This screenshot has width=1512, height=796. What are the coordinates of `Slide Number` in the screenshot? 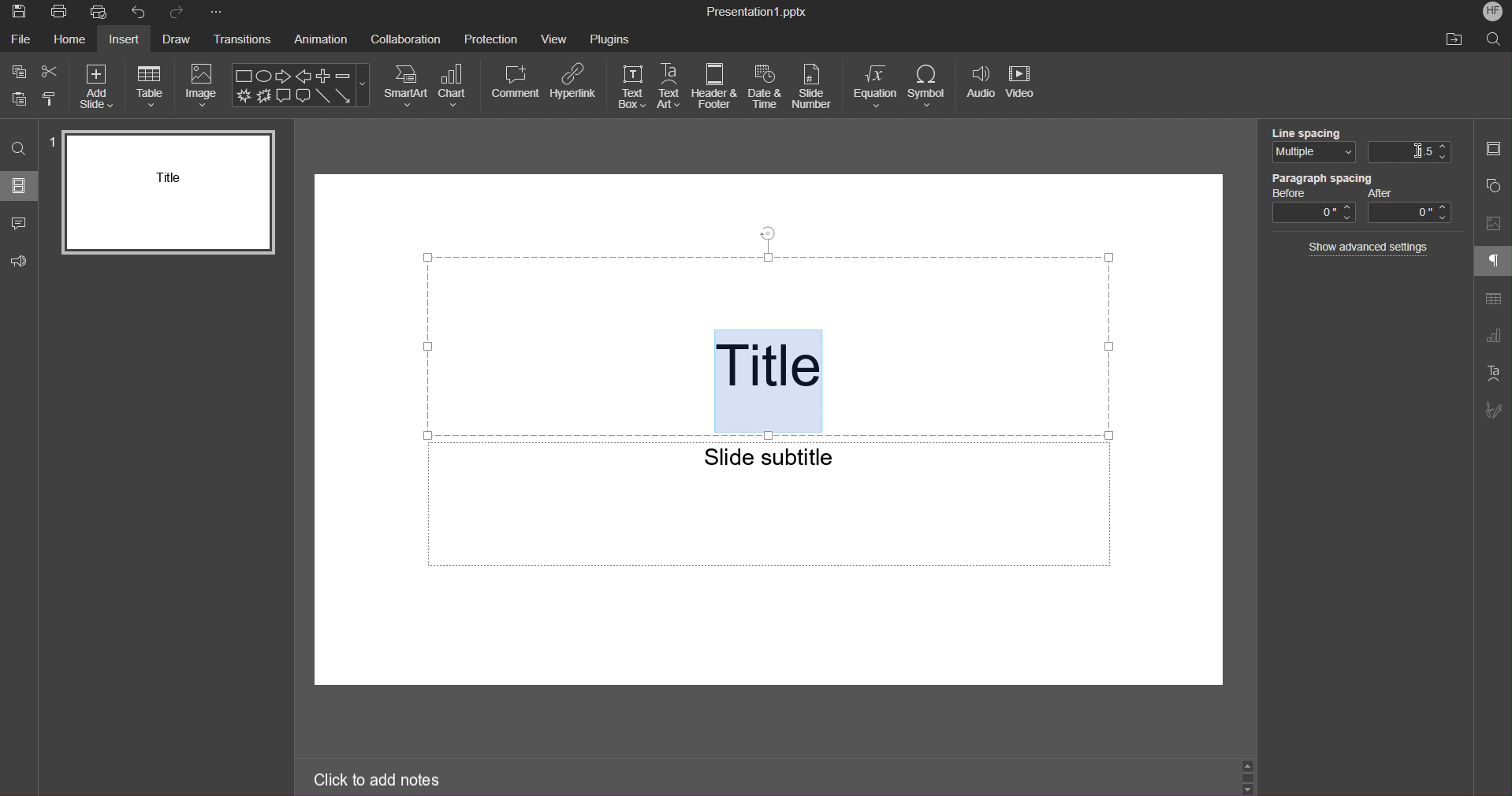 It's located at (815, 87).